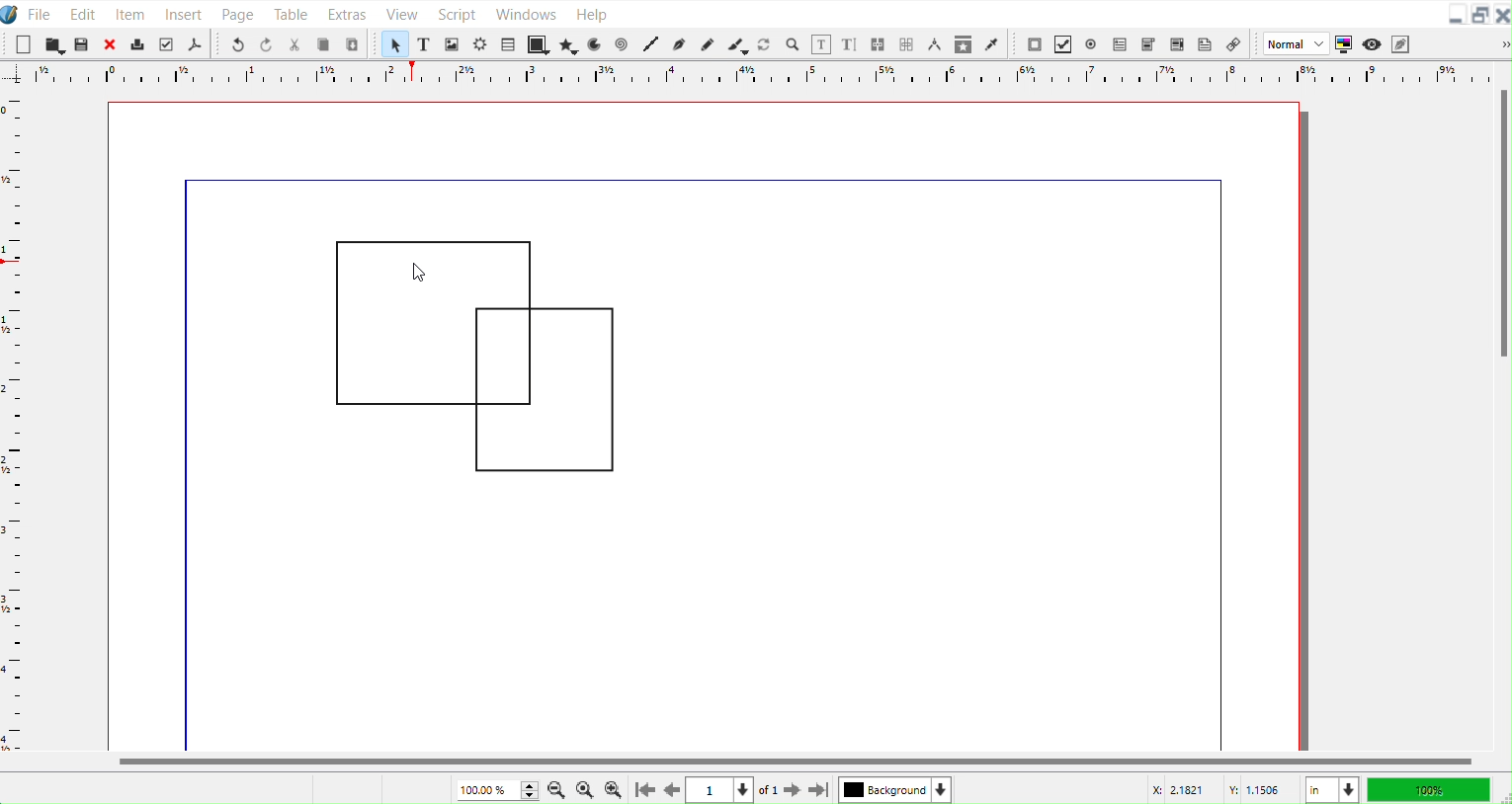 The width and height of the screenshot is (1512, 804). What do you see at coordinates (704, 179) in the screenshot?
I see `line` at bounding box center [704, 179].